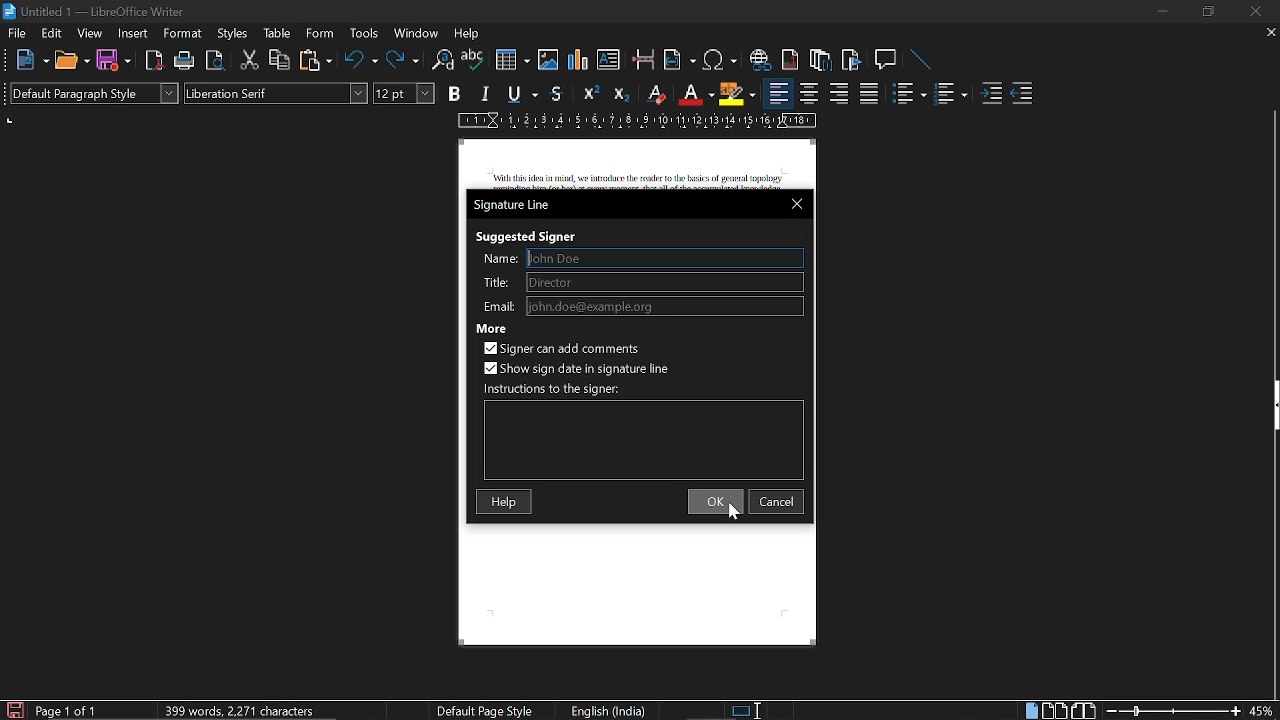 The height and width of the screenshot is (720, 1280). I want to click on superscript, so click(590, 94).